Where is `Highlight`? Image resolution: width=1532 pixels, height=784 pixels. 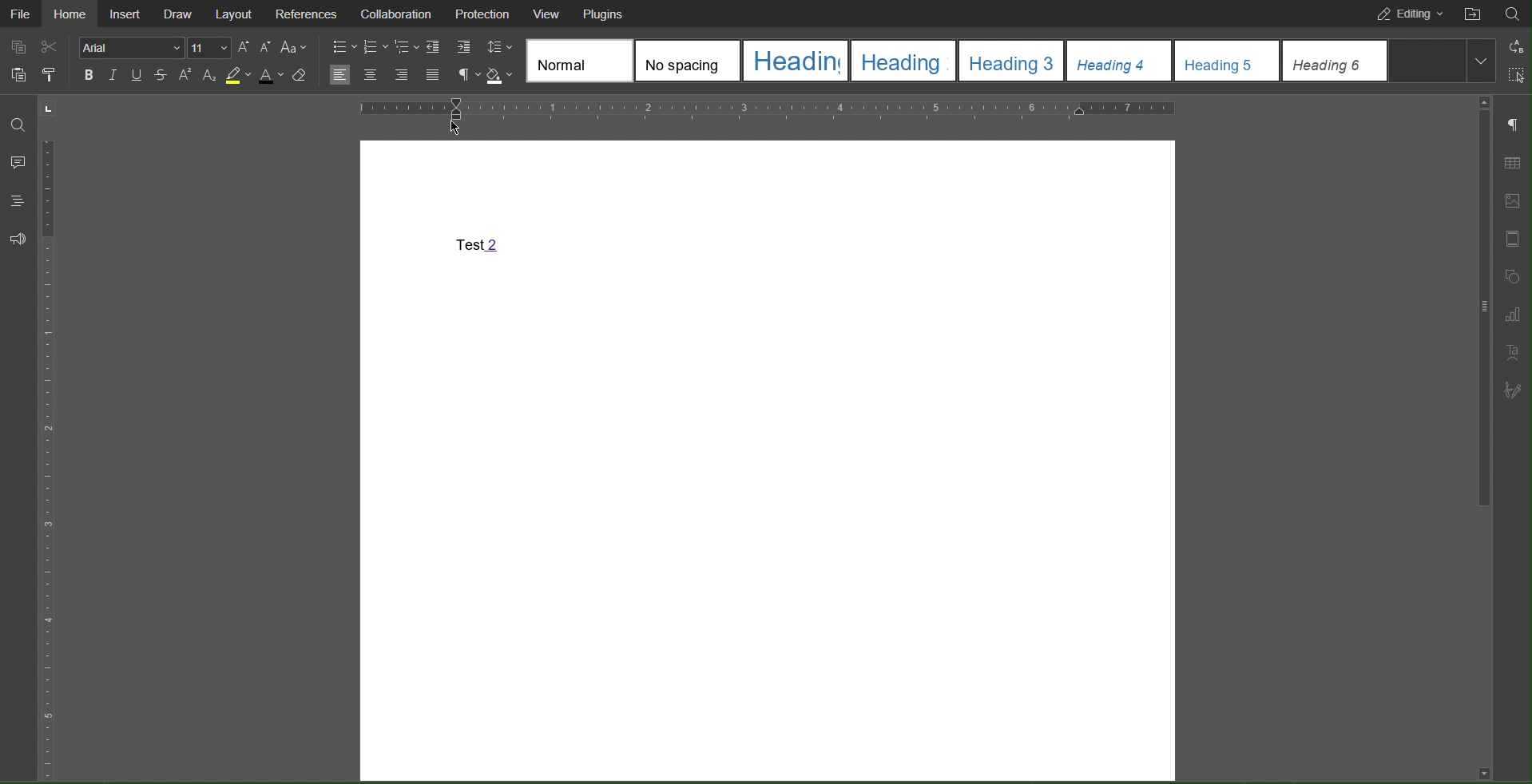 Highlight is located at coordinates (240, 76).